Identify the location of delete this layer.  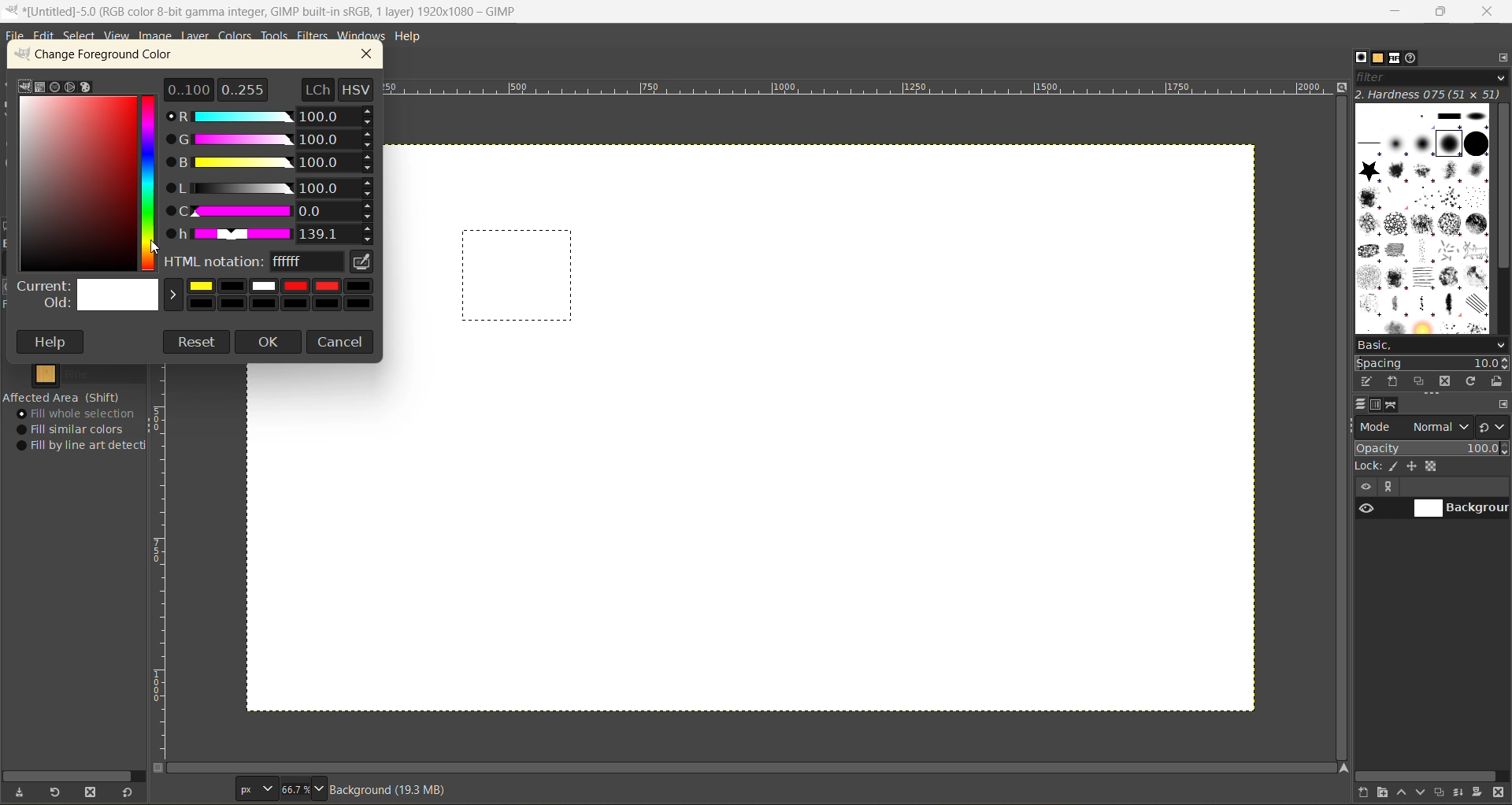
(1499, 794).